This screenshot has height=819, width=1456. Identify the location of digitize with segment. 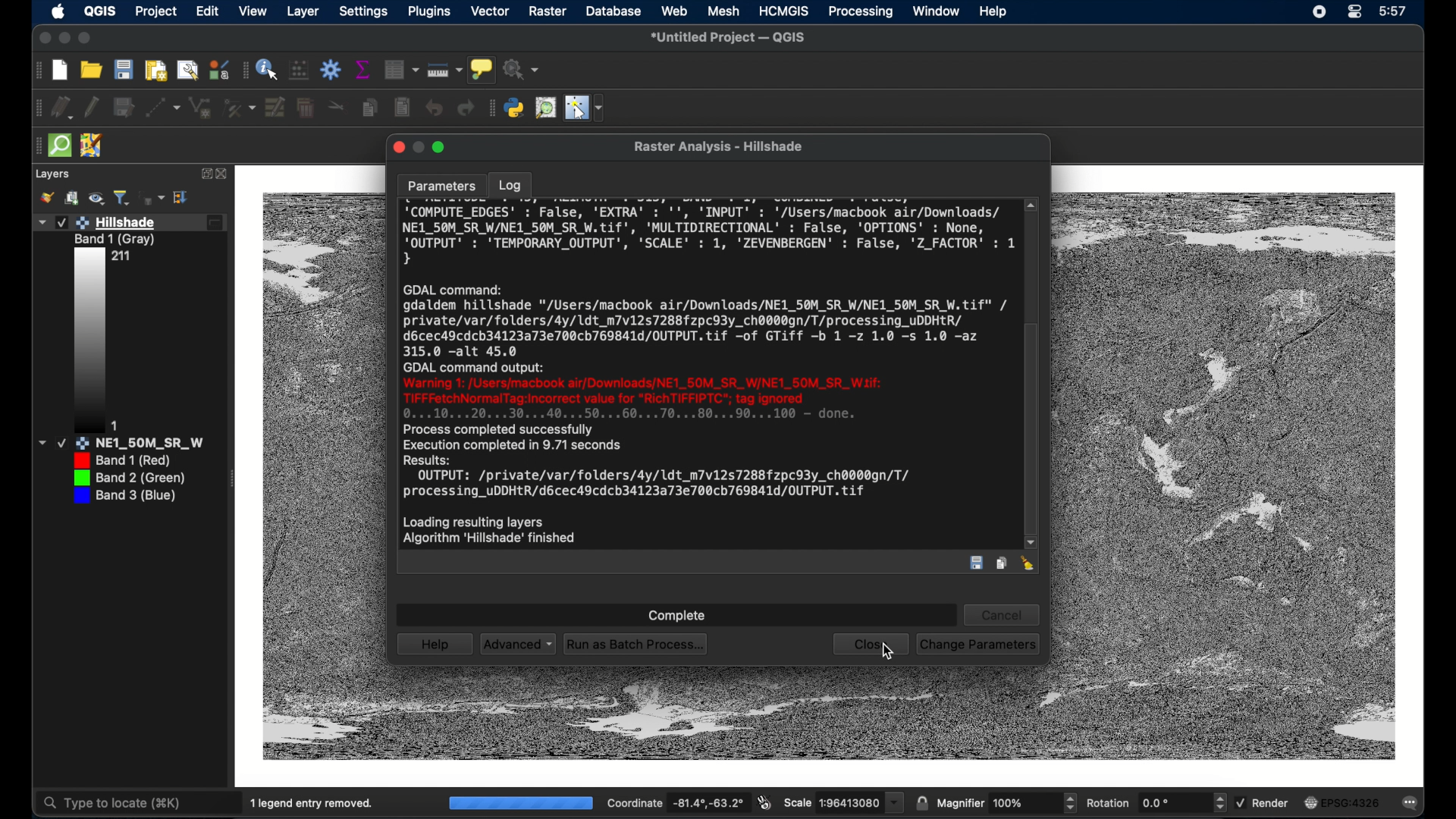
(163, 108).